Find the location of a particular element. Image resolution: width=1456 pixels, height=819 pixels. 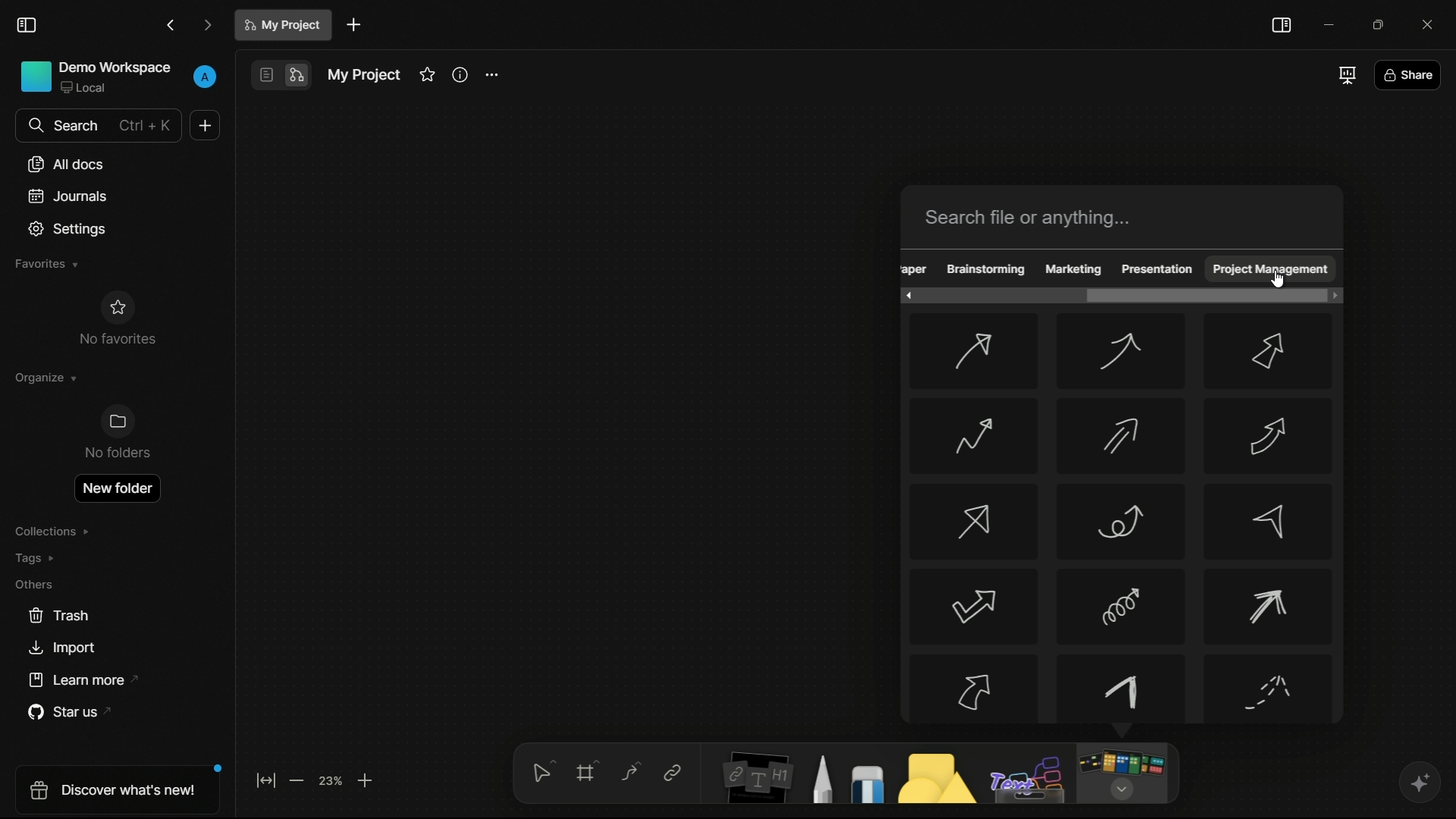

document name is located at coordinates (285, 25).